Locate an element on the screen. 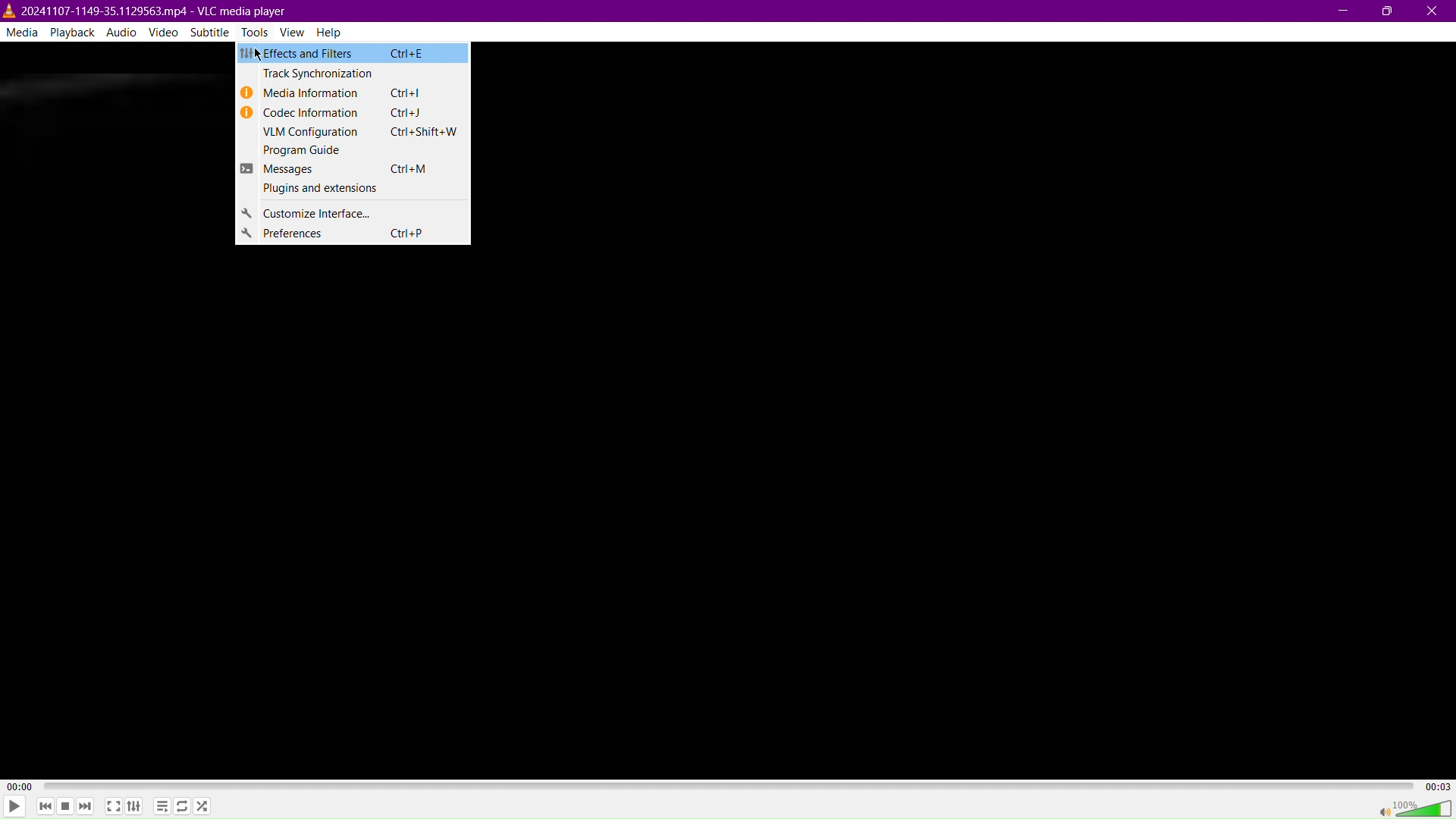 This screenshot has height=819, width=1456. 2024107-1149-35.1129563.mp4 - VLC media player is located at coordinates (146, 9).